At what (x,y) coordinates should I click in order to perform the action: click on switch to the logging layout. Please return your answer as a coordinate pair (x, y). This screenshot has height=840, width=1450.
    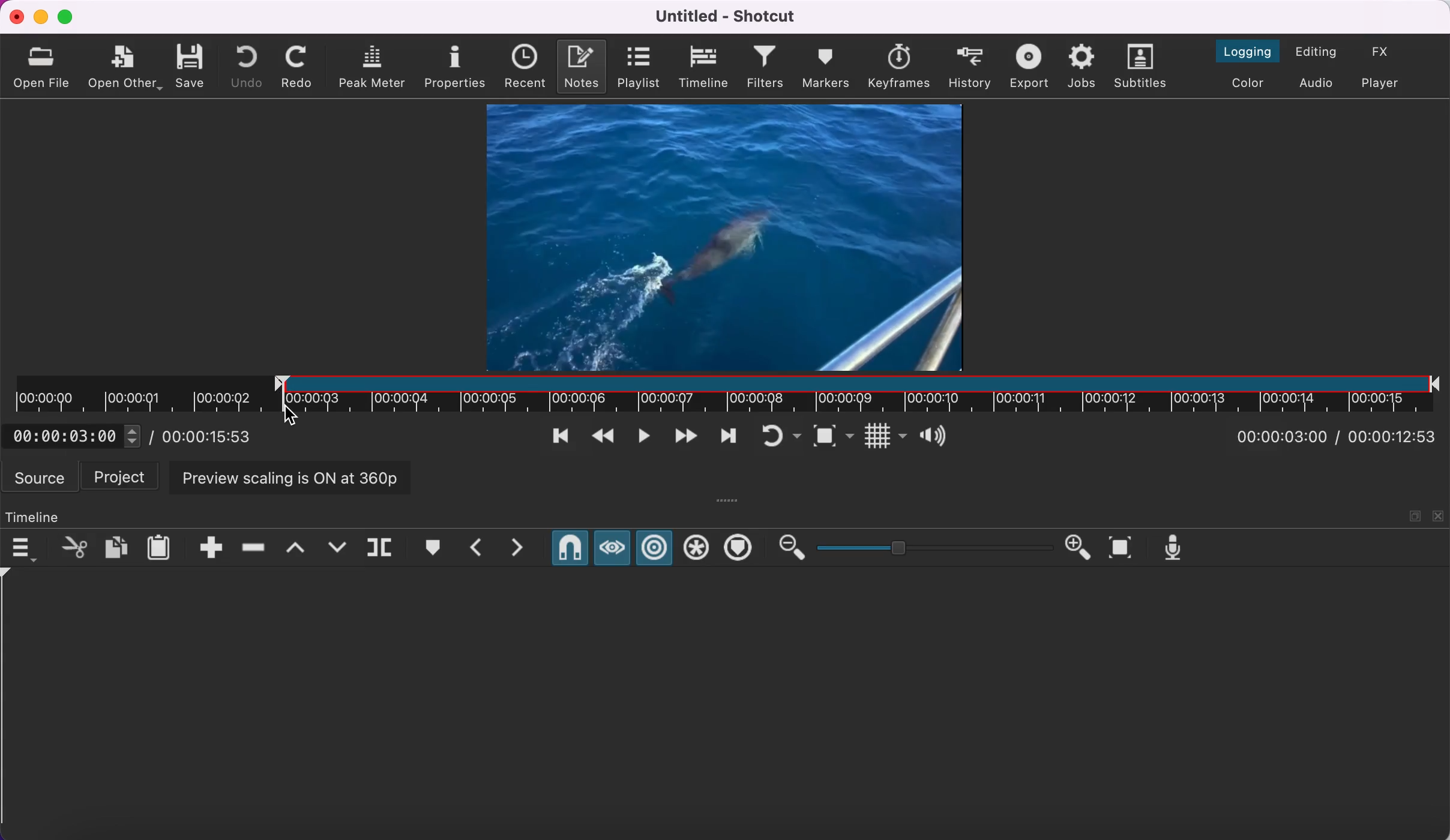
    Looking at the image, I should click on (1251, 51).